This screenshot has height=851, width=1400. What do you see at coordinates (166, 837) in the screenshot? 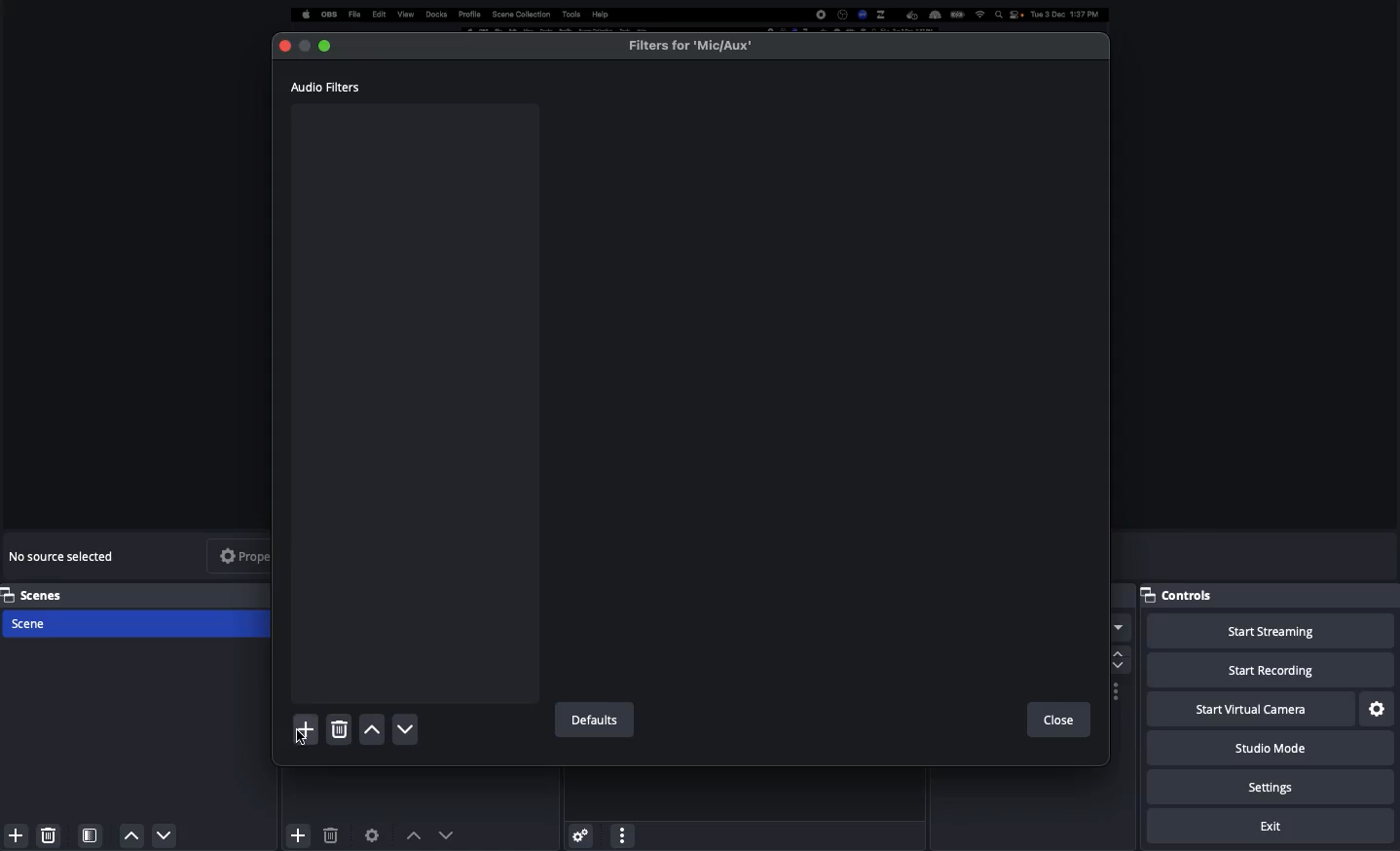
I see `Down` at bounding box center [166, 837].